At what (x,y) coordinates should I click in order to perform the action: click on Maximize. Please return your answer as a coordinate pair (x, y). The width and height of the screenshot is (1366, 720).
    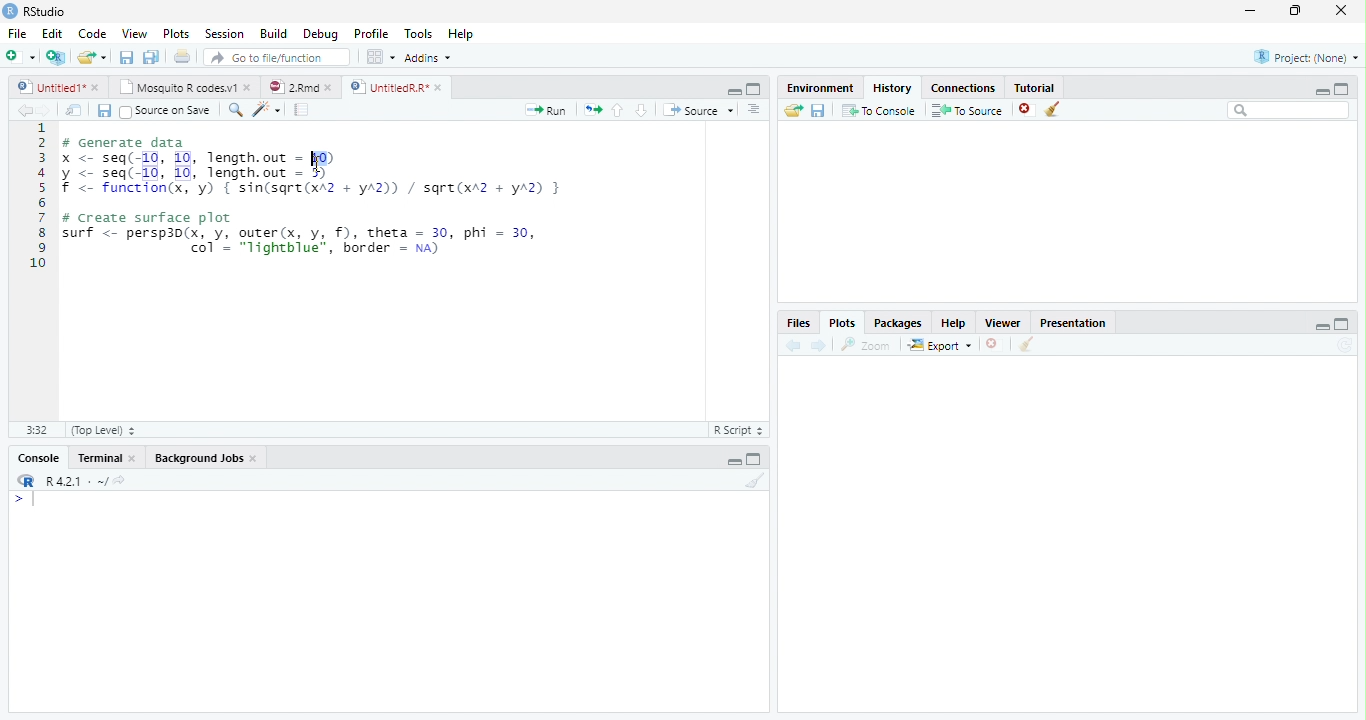
    Looking at the image, I should click on (753, 461).